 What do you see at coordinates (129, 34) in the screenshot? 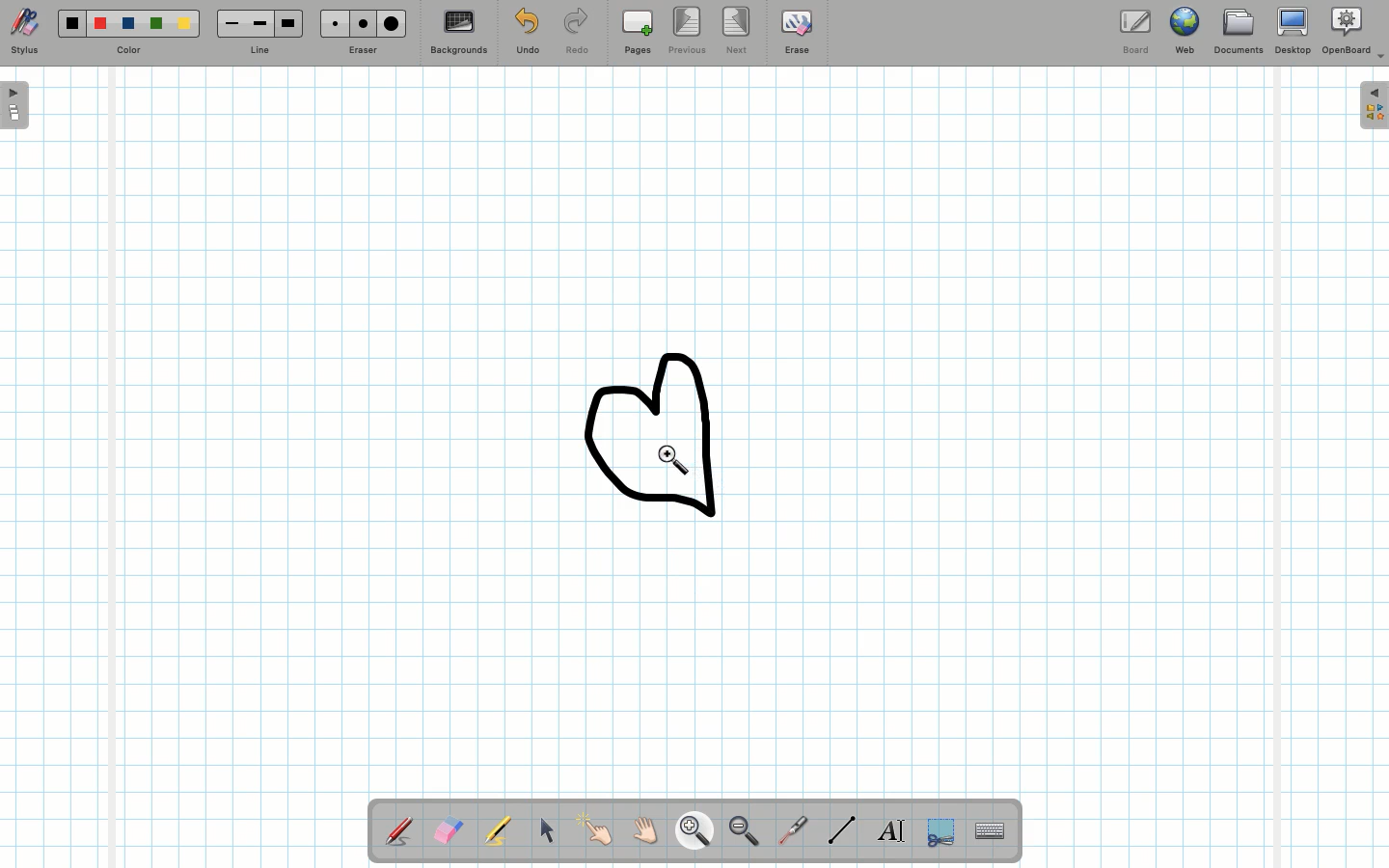
I see `Color` at bounding box center [129, 34].